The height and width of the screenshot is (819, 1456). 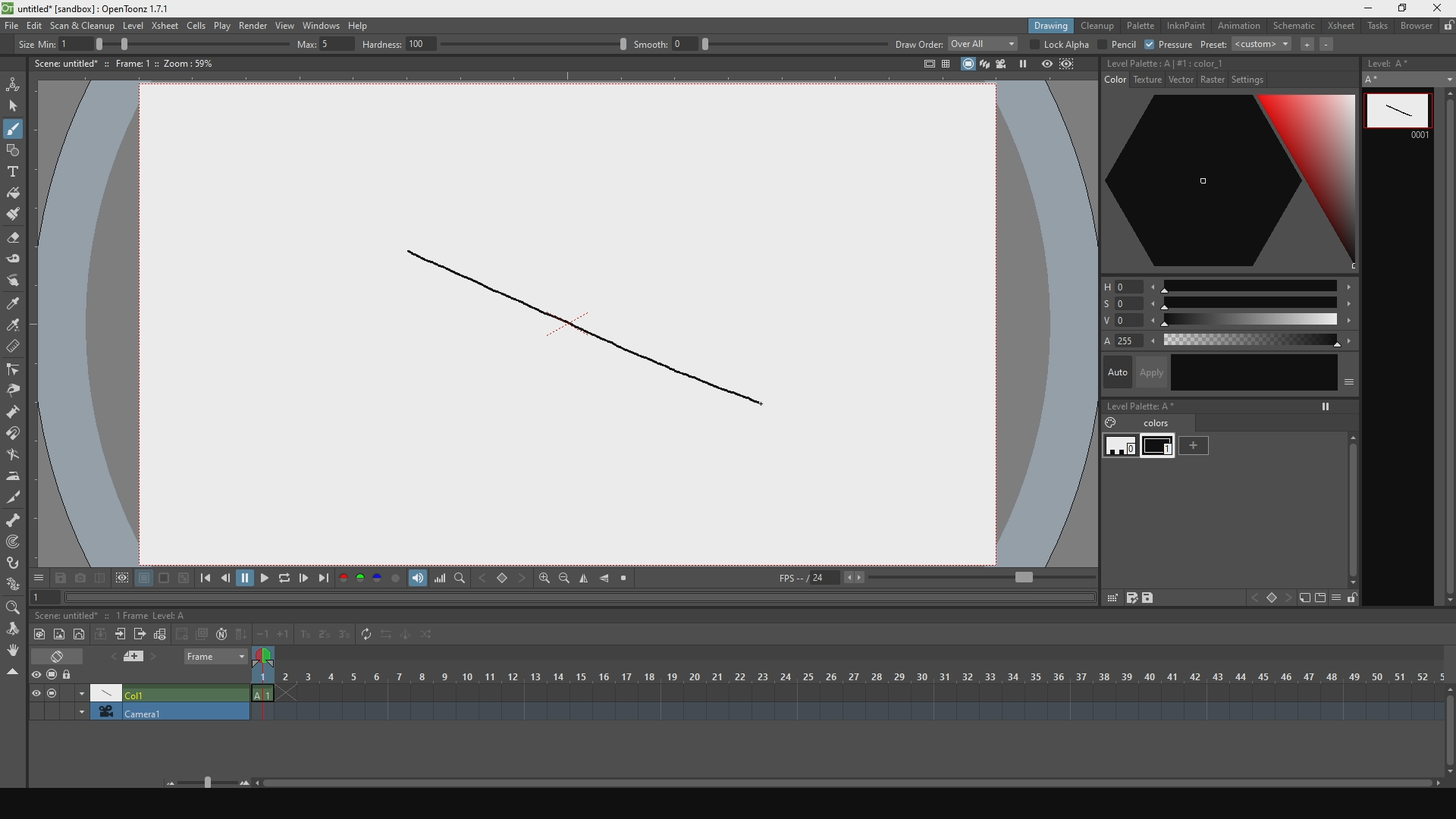 What do you see at coordinates (40, 579) in the screenshot?
I see `options` at bounding box center [40, 579].